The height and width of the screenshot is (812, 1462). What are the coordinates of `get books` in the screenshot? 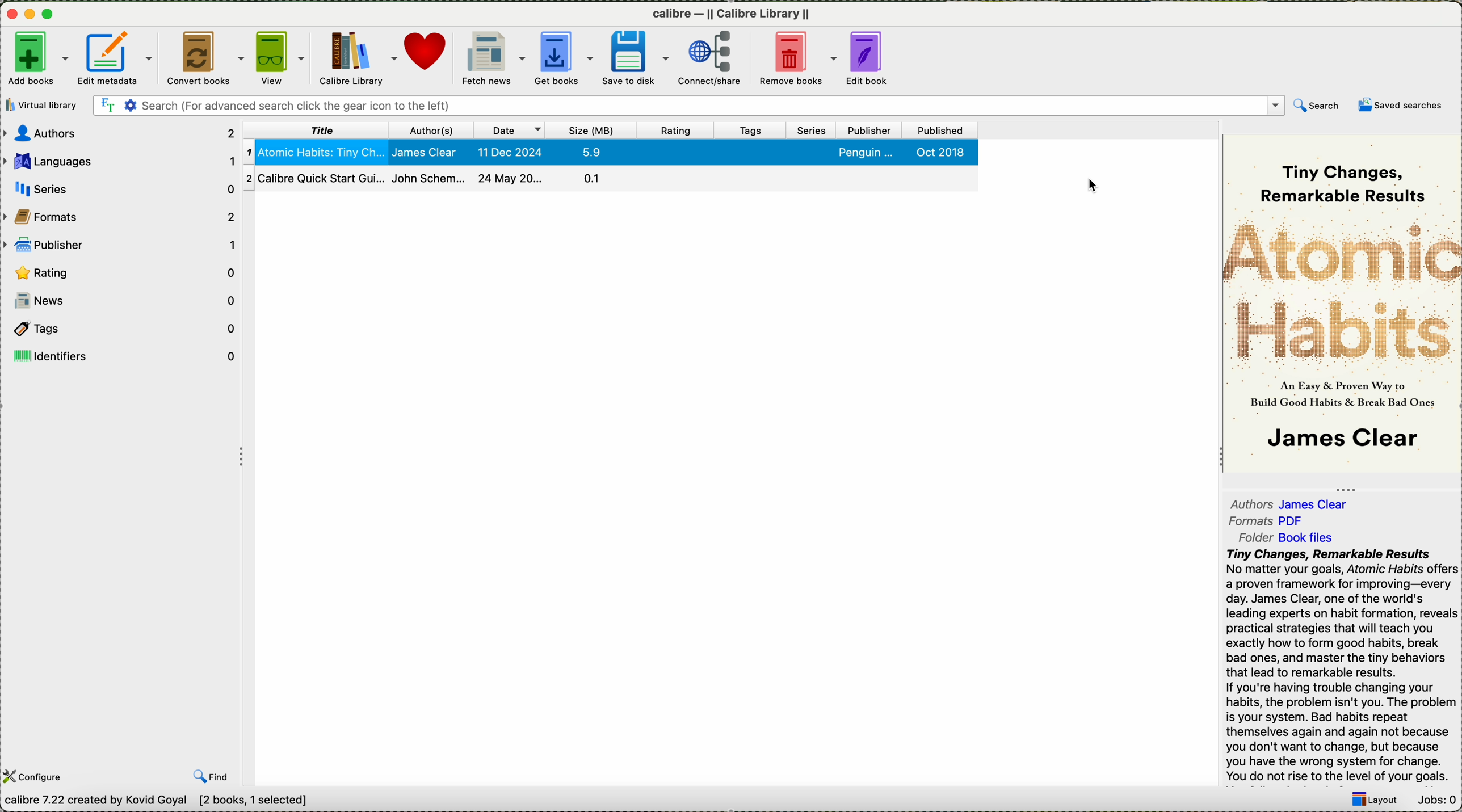 It's located at (564, 57).